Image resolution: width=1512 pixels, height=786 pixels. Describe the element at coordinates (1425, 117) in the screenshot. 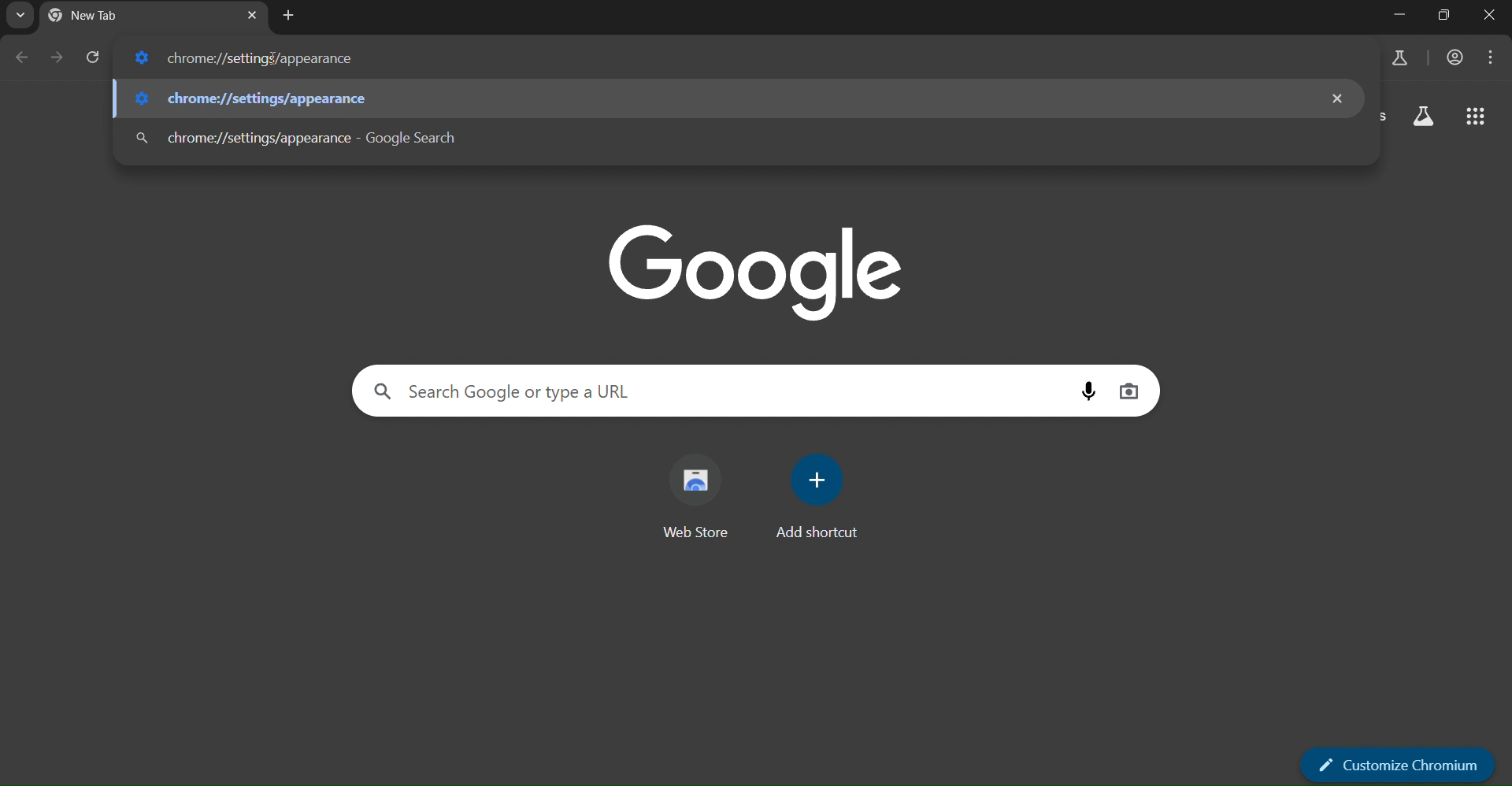

I see `search labs` at that location.